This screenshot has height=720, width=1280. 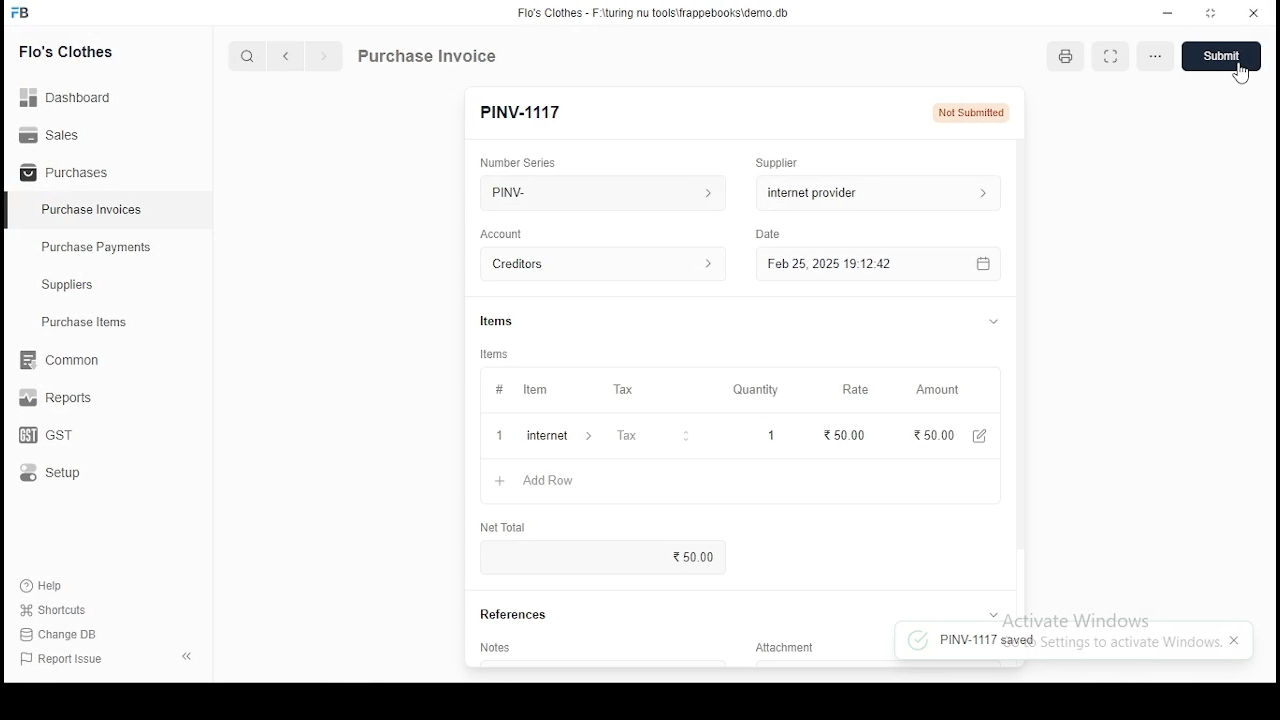 What do you see at coordinates (702, 556) in the screenshot?
I see `0.00` at bounding box center [702, 556].